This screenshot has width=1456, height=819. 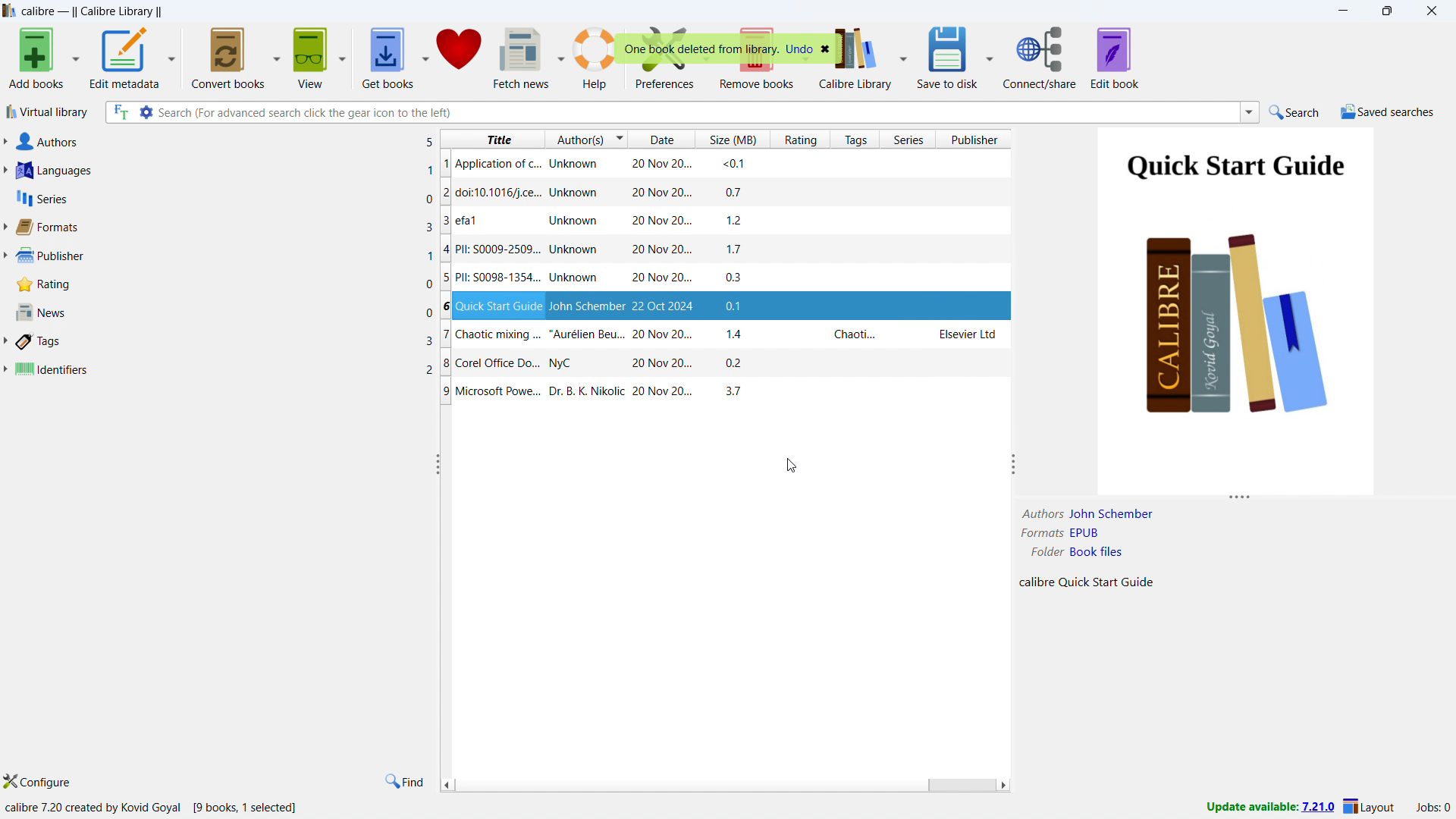 I want to click on PIL: S009-2509..., so click(x=732, y=251).